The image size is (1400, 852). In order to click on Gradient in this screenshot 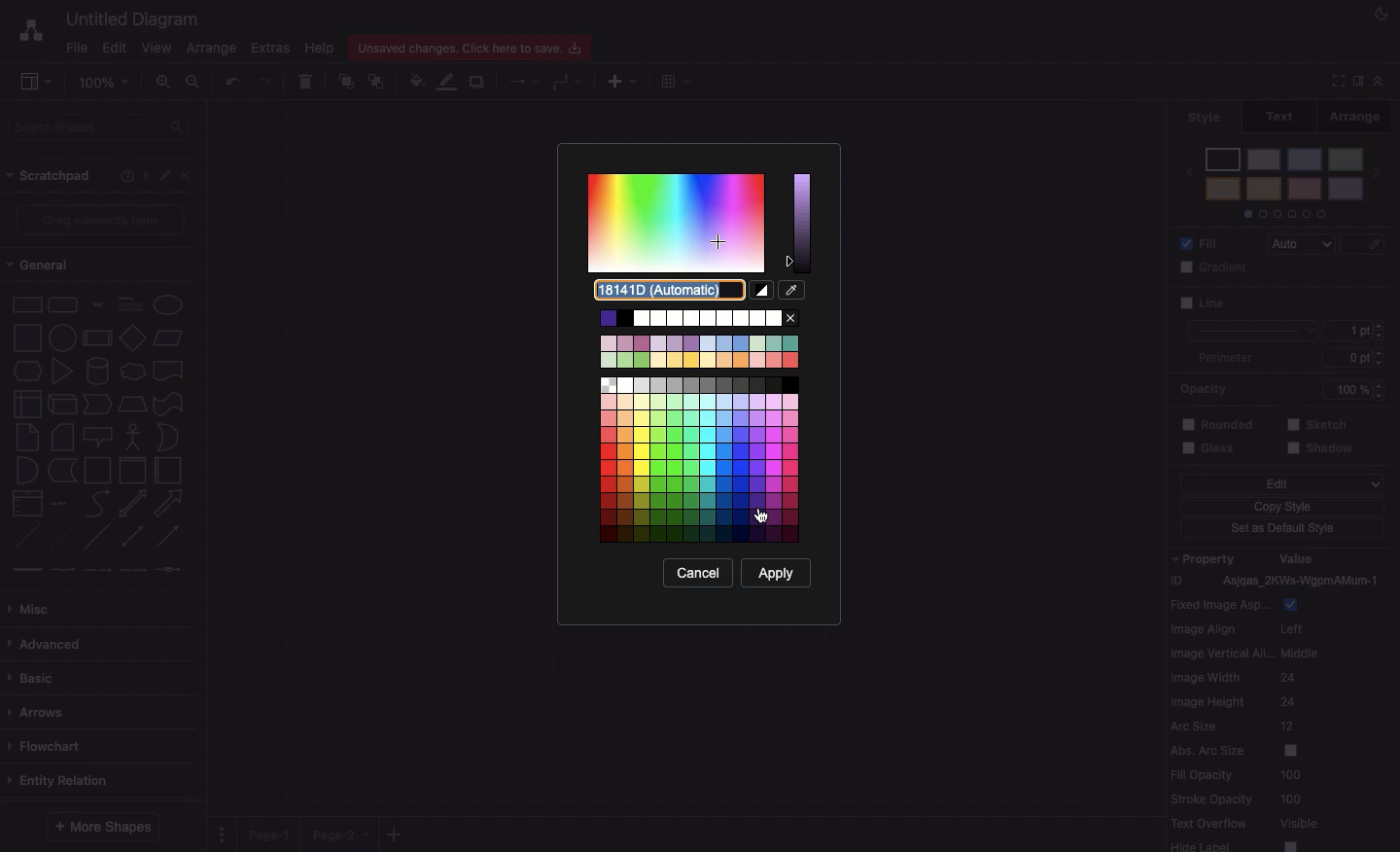, I will do `click(1217, 267)`.